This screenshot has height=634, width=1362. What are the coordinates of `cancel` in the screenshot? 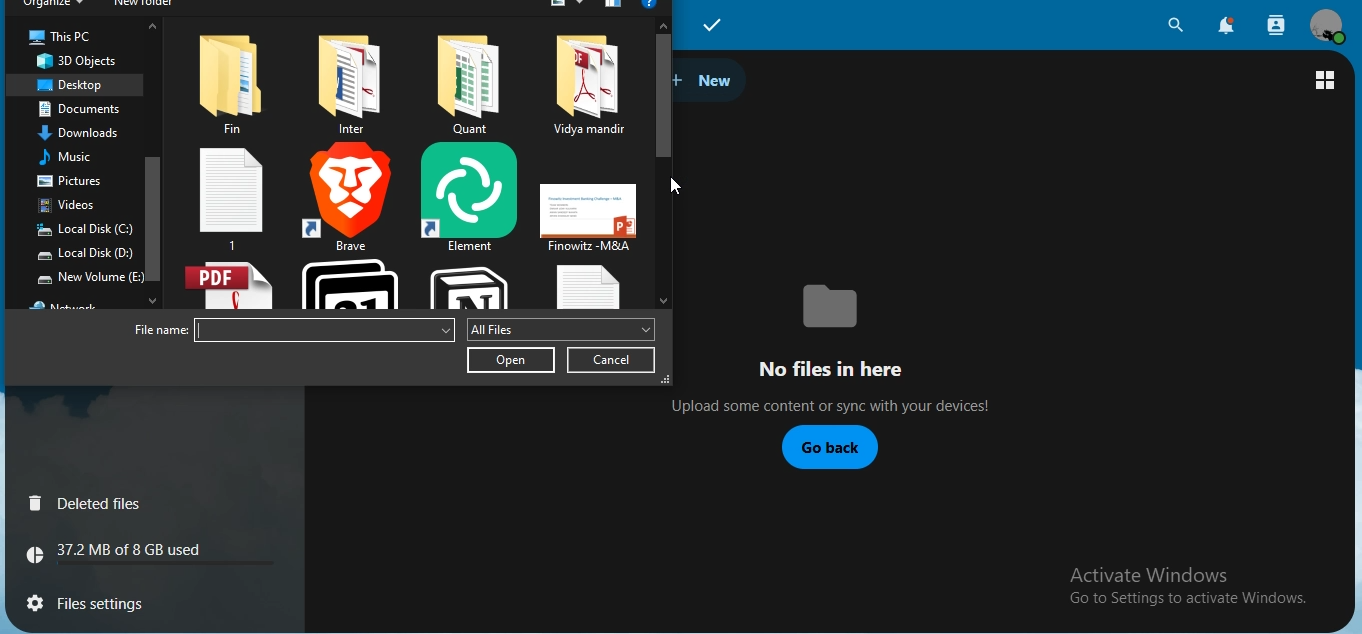 It's located at (613, 360).